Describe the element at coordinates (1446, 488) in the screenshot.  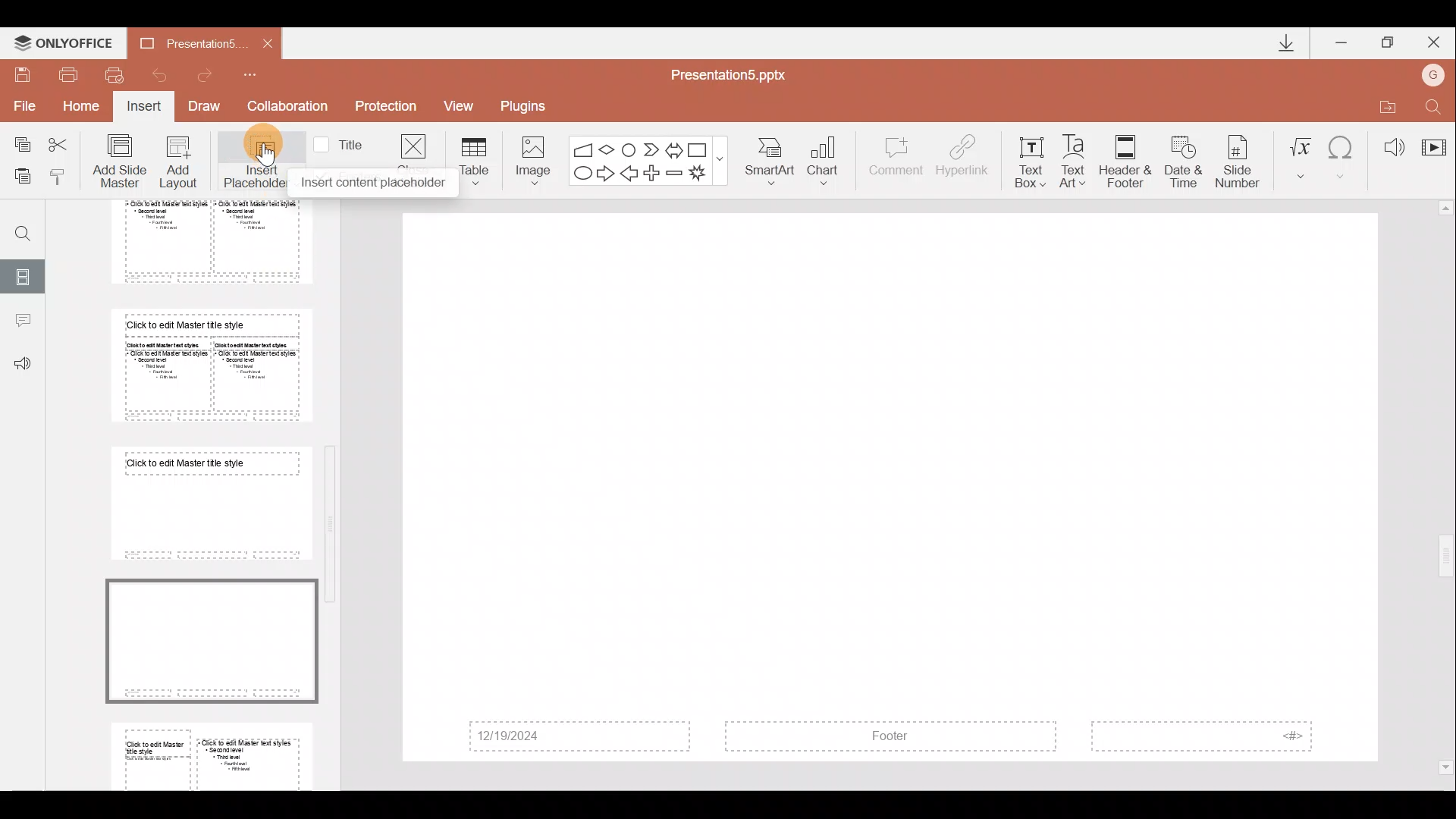
I see `Scroll bar` at that location.